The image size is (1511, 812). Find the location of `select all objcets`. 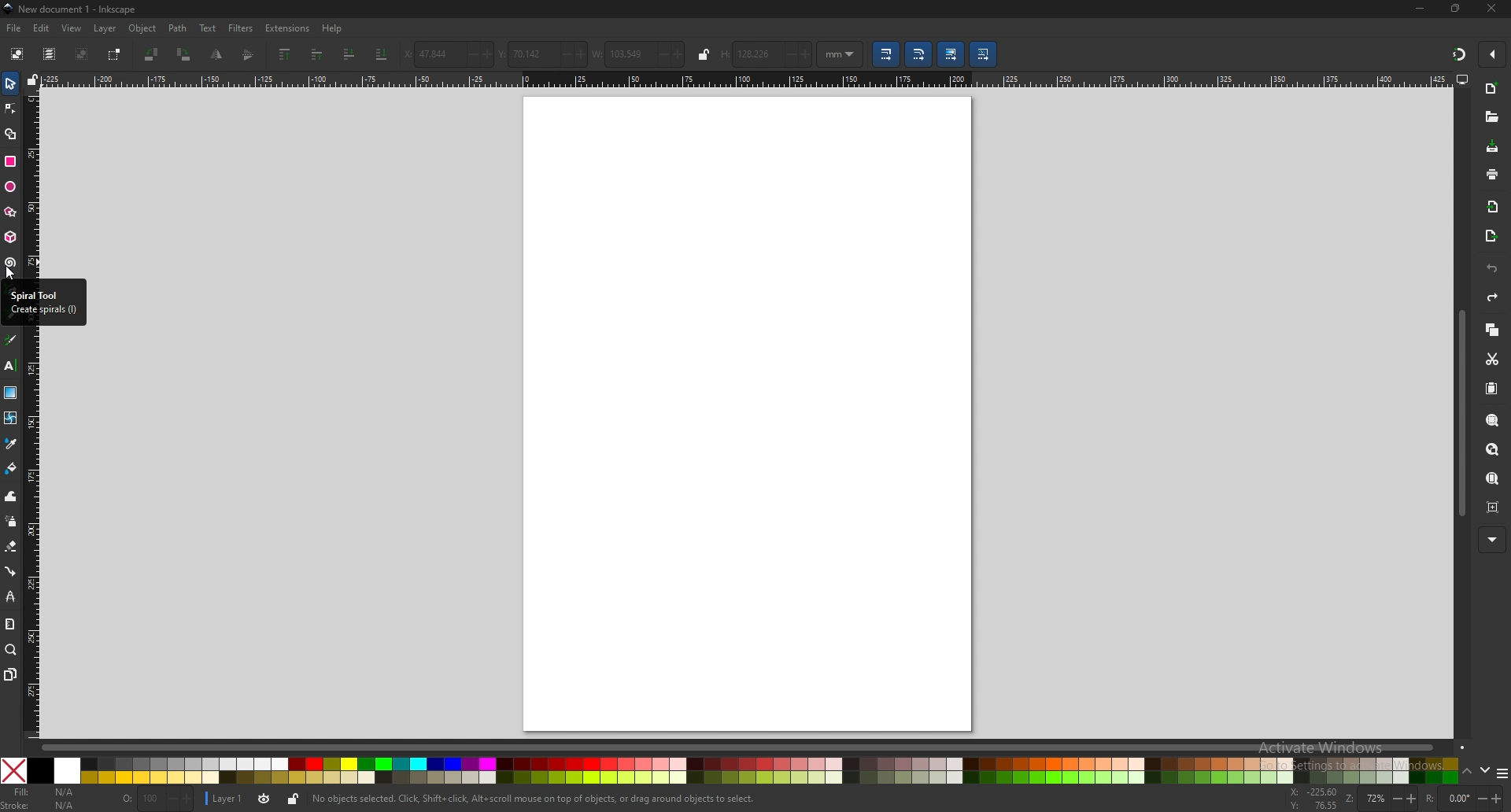

select all objcets is located at coordinates (16, 55).